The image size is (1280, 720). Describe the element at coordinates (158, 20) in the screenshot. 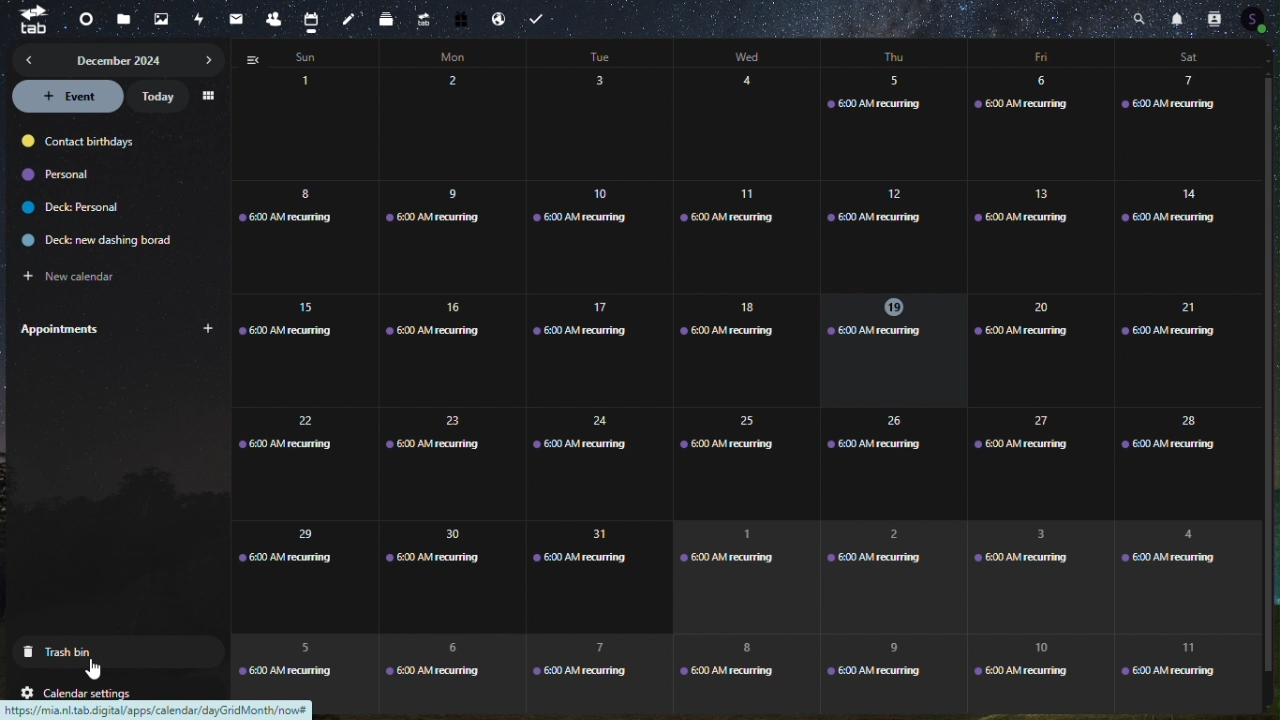

I see `photos` at that location.